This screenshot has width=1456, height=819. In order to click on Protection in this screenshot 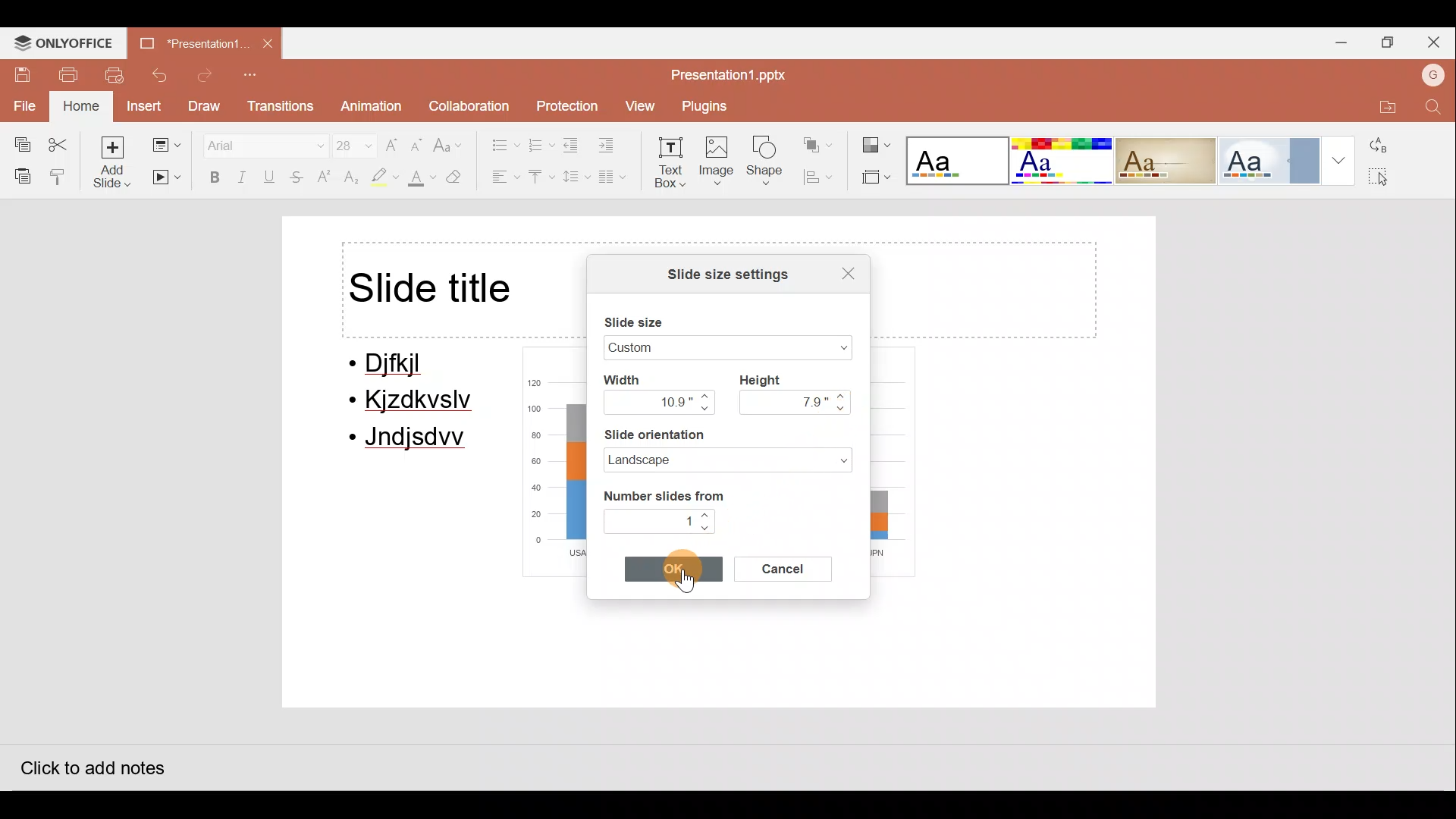, I will do `click(564, 101)`.